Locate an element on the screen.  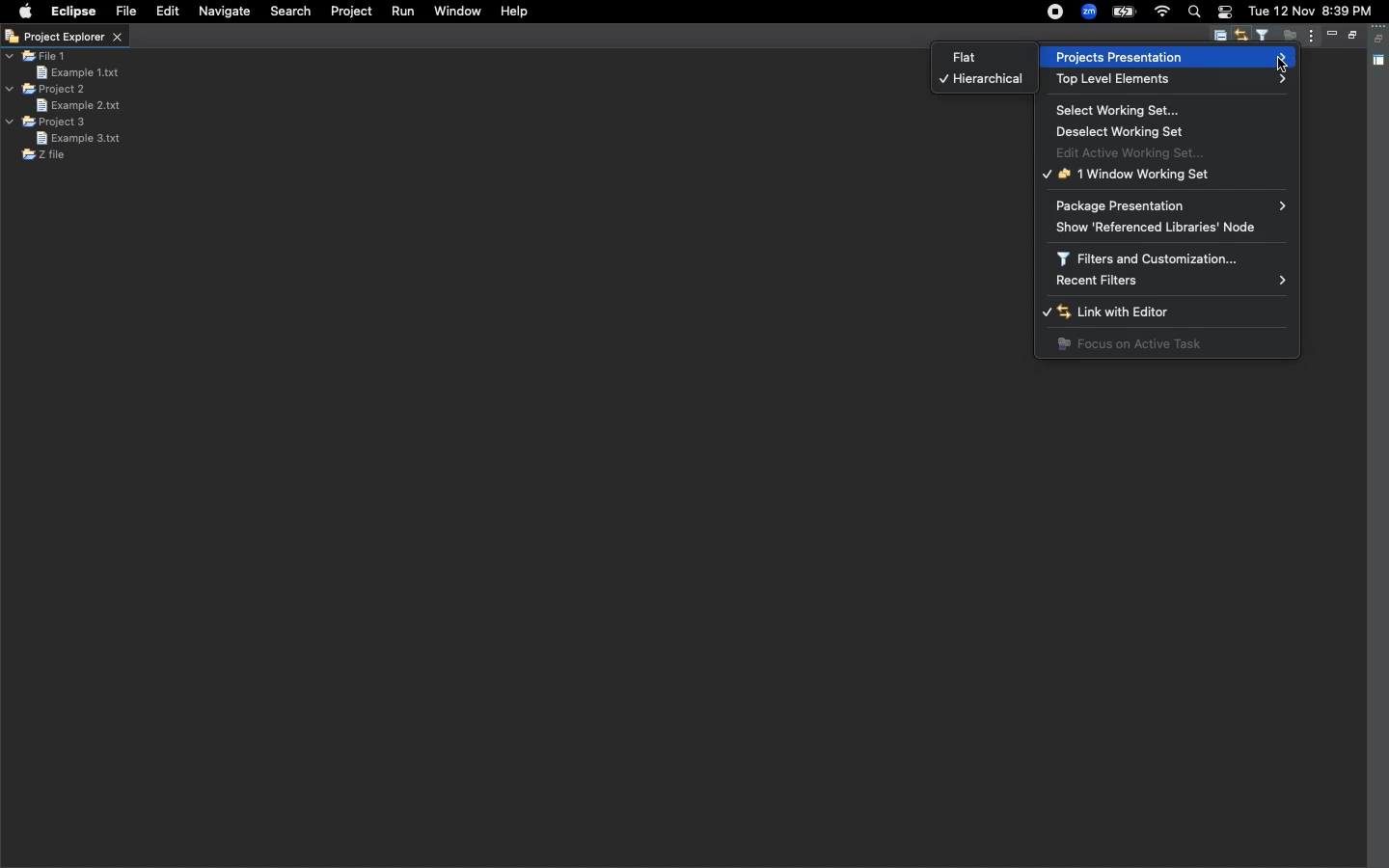
File is located at coordinates (126, 12).